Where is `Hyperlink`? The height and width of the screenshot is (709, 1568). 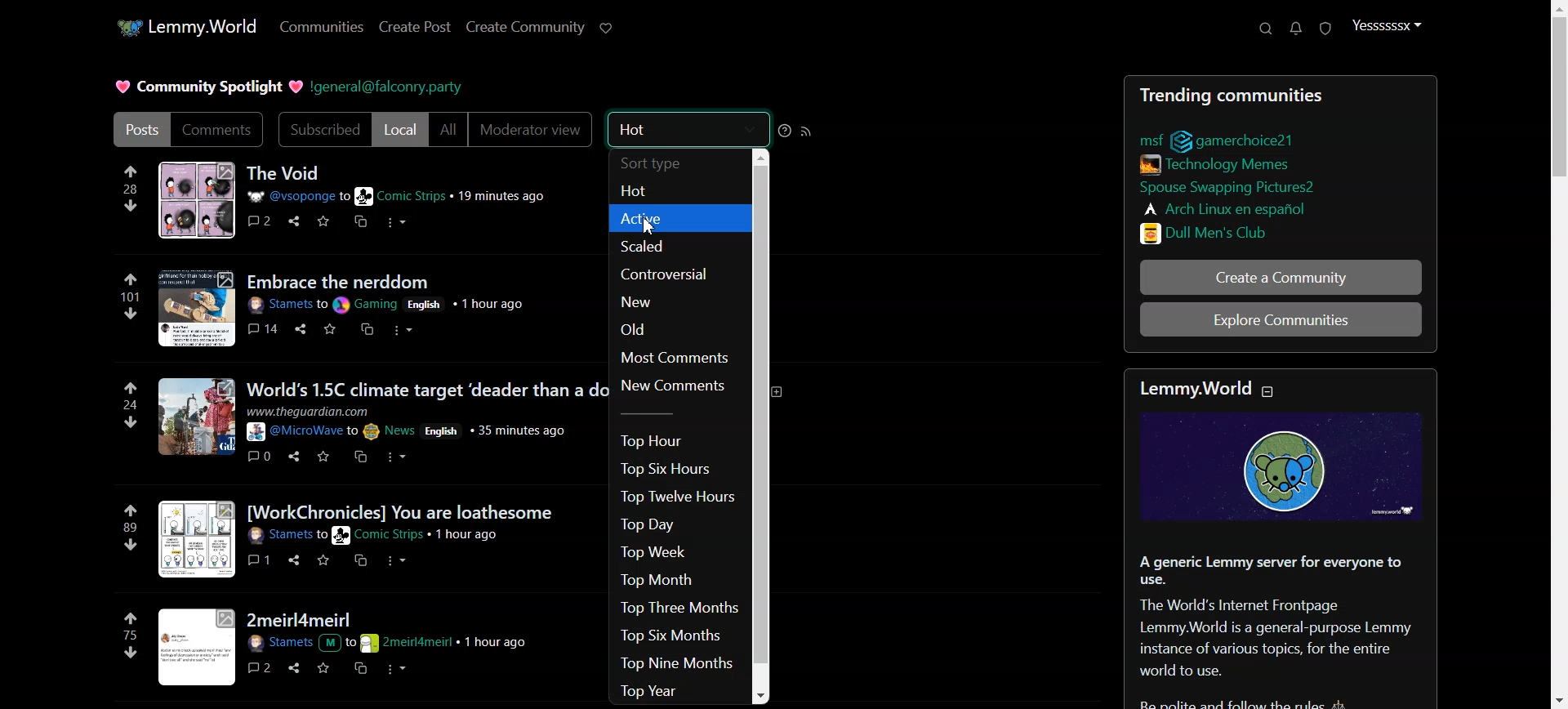 Hyperlink is located at coordinates (389, 88).